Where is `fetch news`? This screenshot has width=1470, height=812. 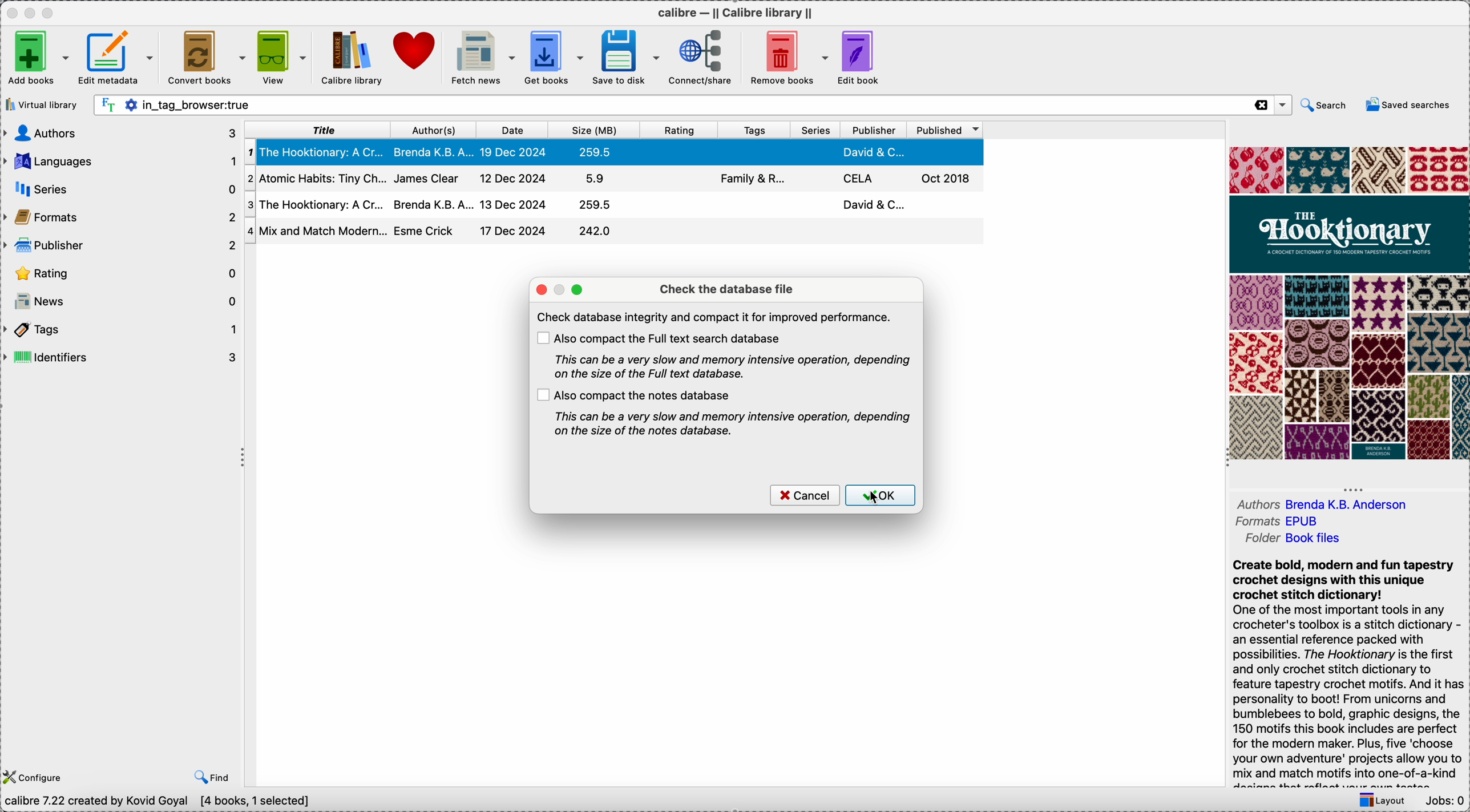
fetch news is located at coordinates (481, 58).